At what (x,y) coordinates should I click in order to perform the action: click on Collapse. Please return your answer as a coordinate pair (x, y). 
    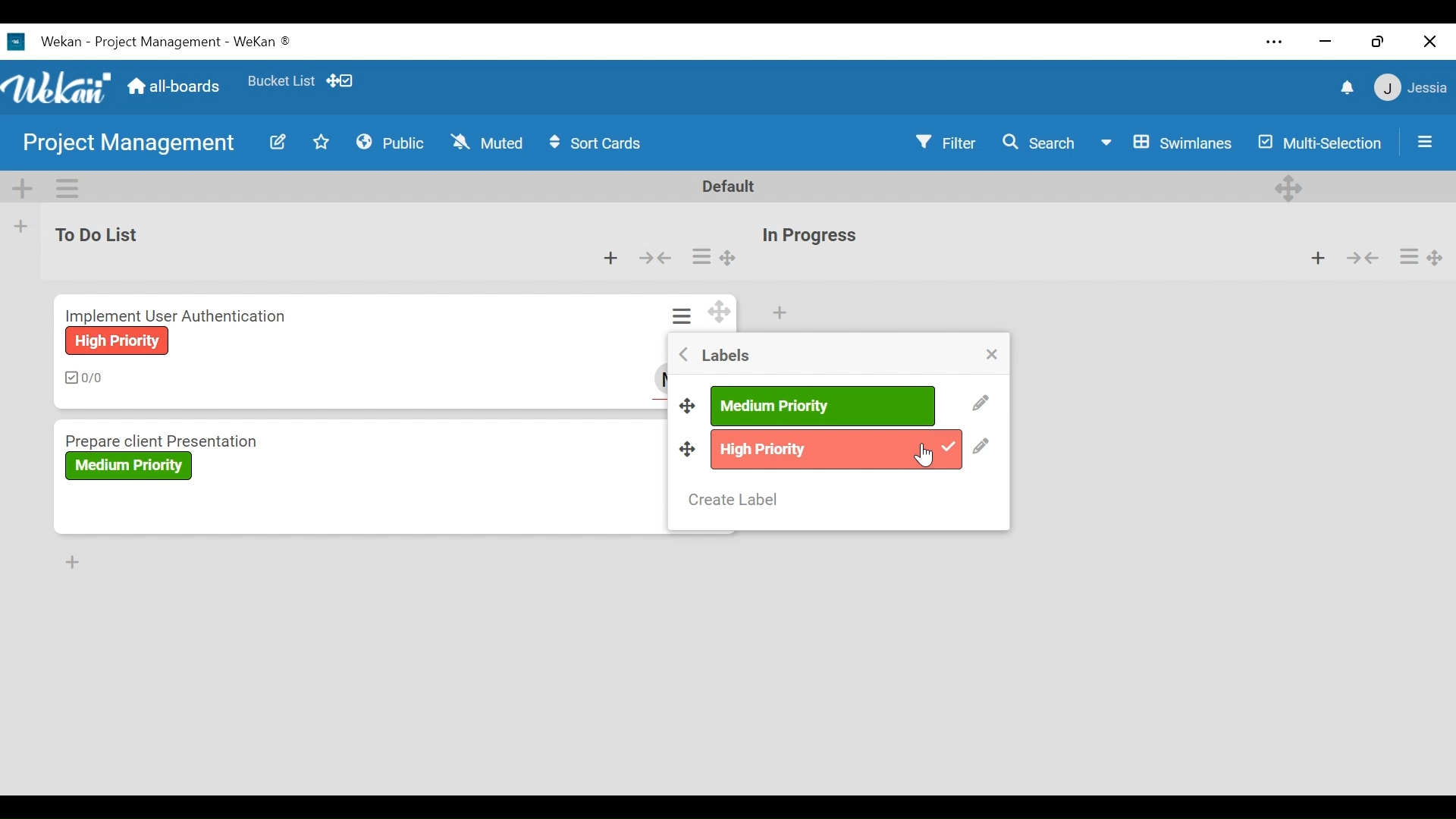
    Looking at the image, I should click on (1361, 257).